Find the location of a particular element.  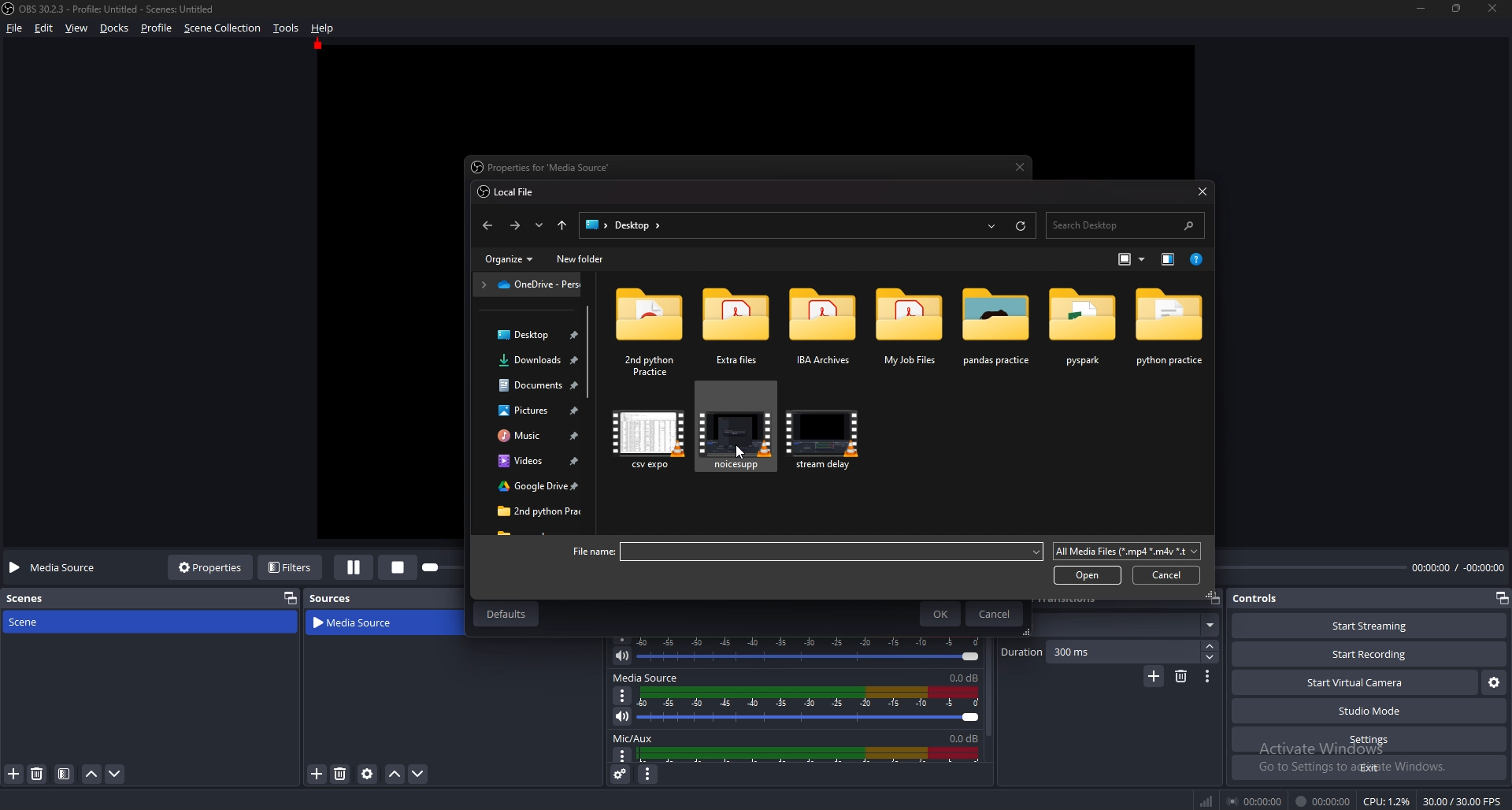

Audio soundbar is located at coordinates (813, 649).